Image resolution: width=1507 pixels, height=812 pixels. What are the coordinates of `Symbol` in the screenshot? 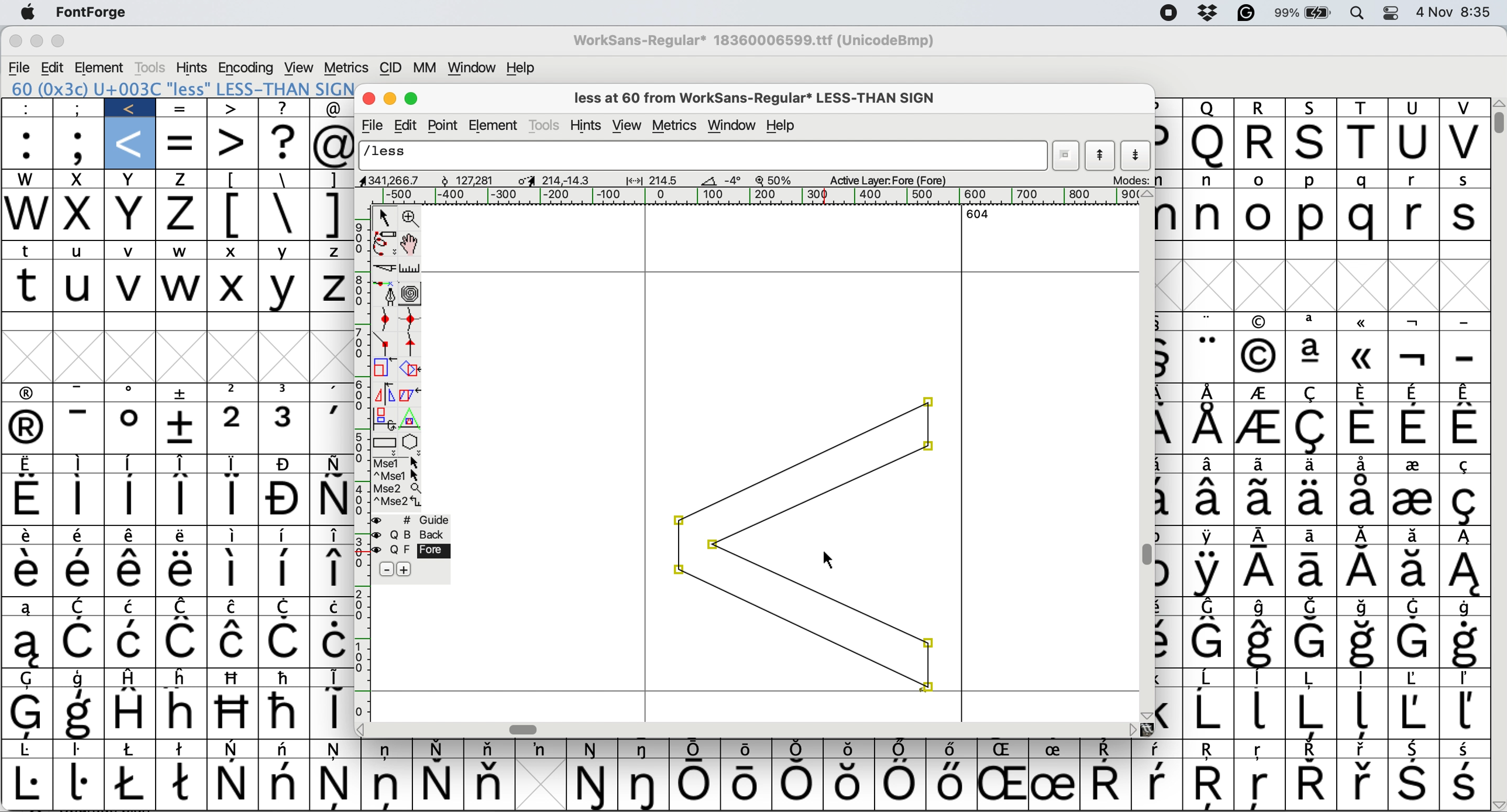 It's located at (183, 462).